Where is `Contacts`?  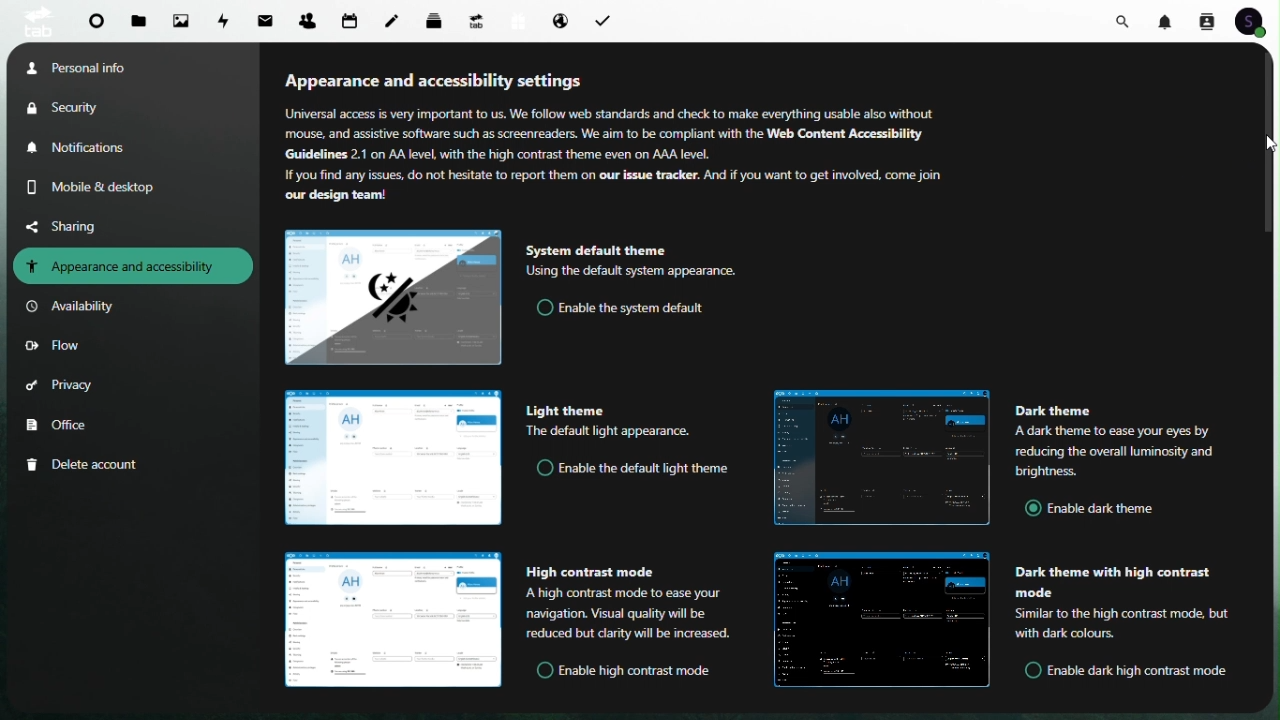
Contacts is located at coordinates (1206, 20).